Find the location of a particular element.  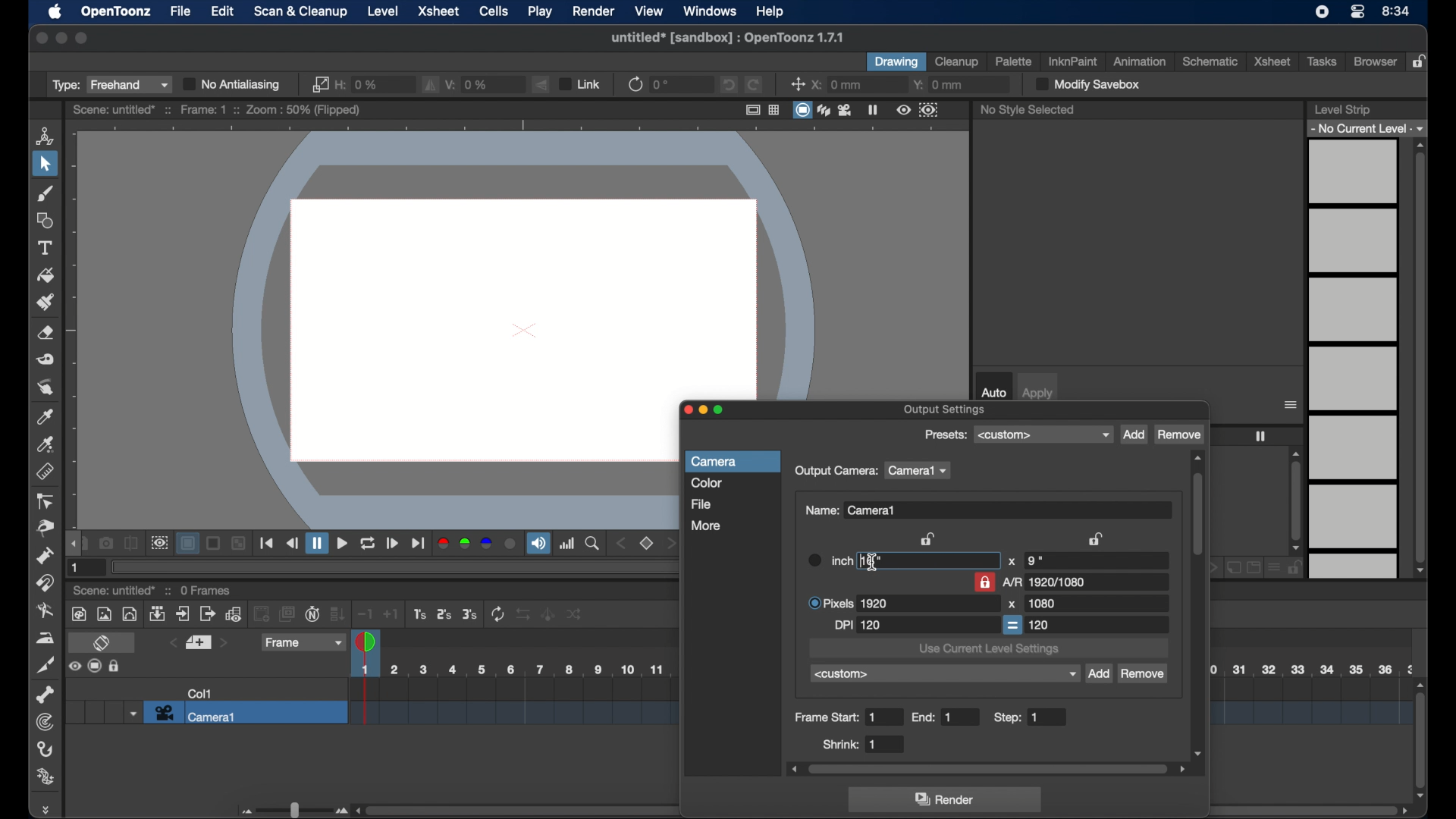

inkinpaint is located at coordinates (1074, 61).